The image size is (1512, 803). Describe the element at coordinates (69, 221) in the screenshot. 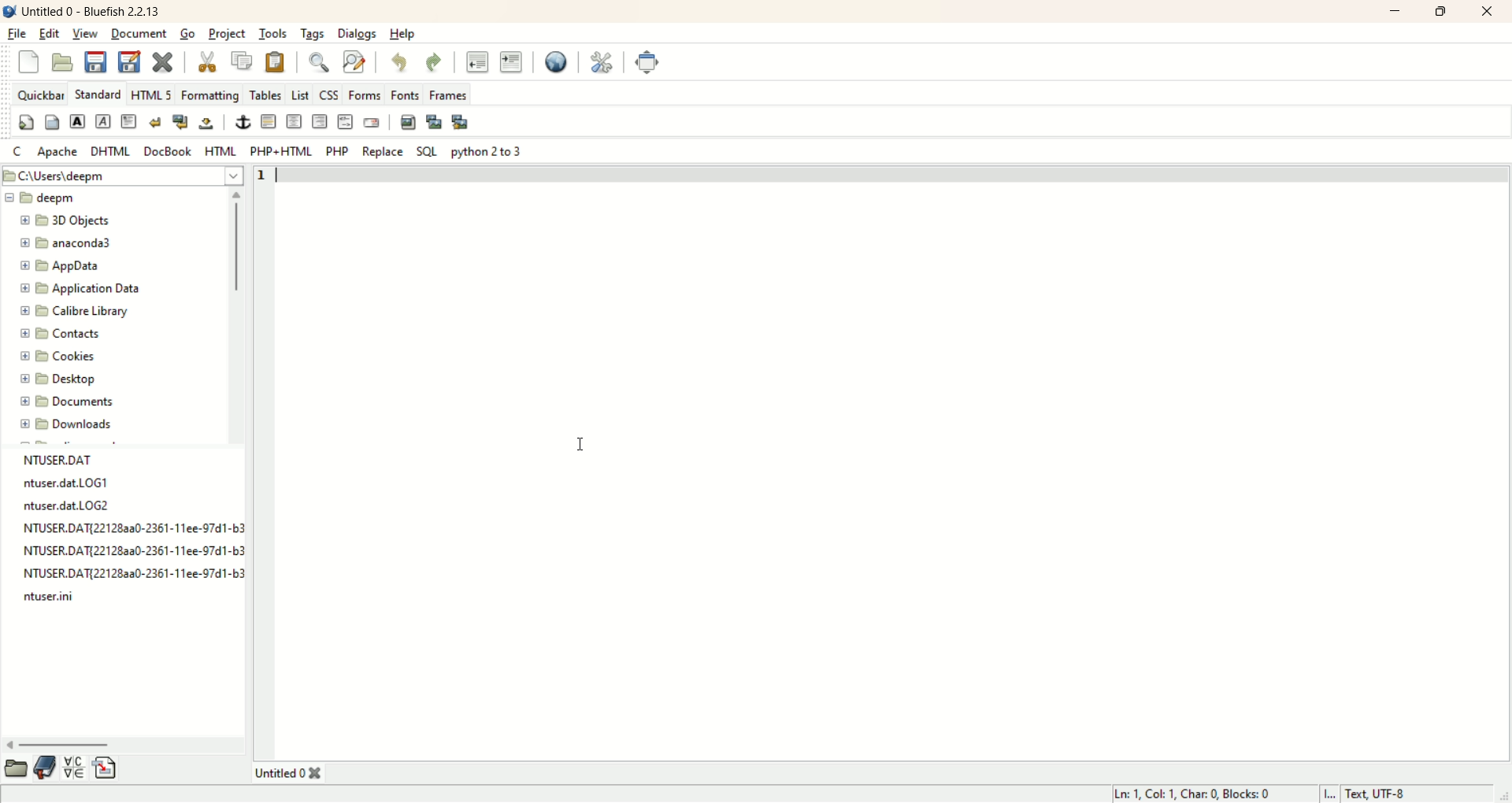

I see `3D objects` at that location.